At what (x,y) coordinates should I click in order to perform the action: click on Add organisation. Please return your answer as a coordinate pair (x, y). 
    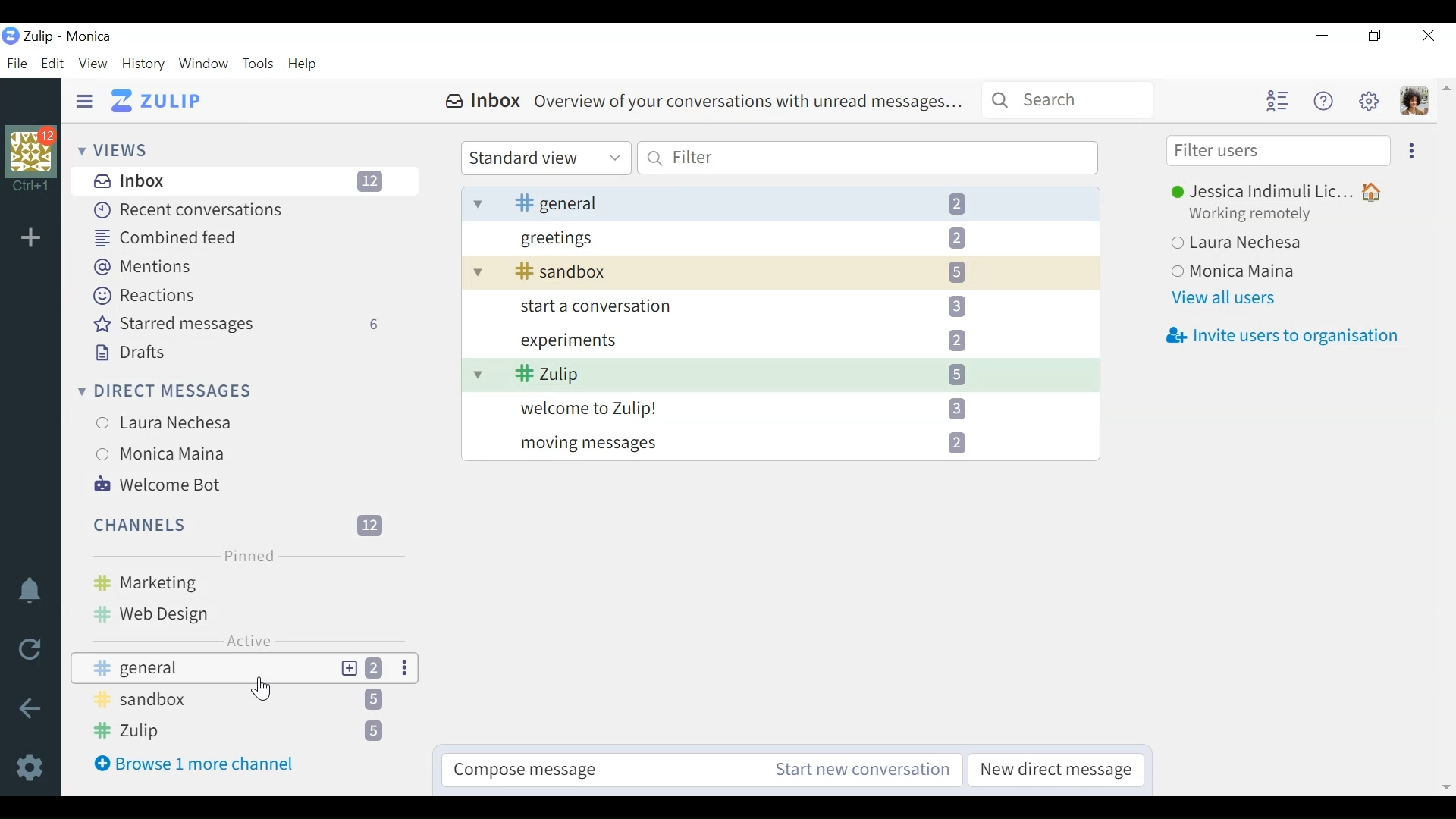
    Looking at the image, I should click on (34, 239).